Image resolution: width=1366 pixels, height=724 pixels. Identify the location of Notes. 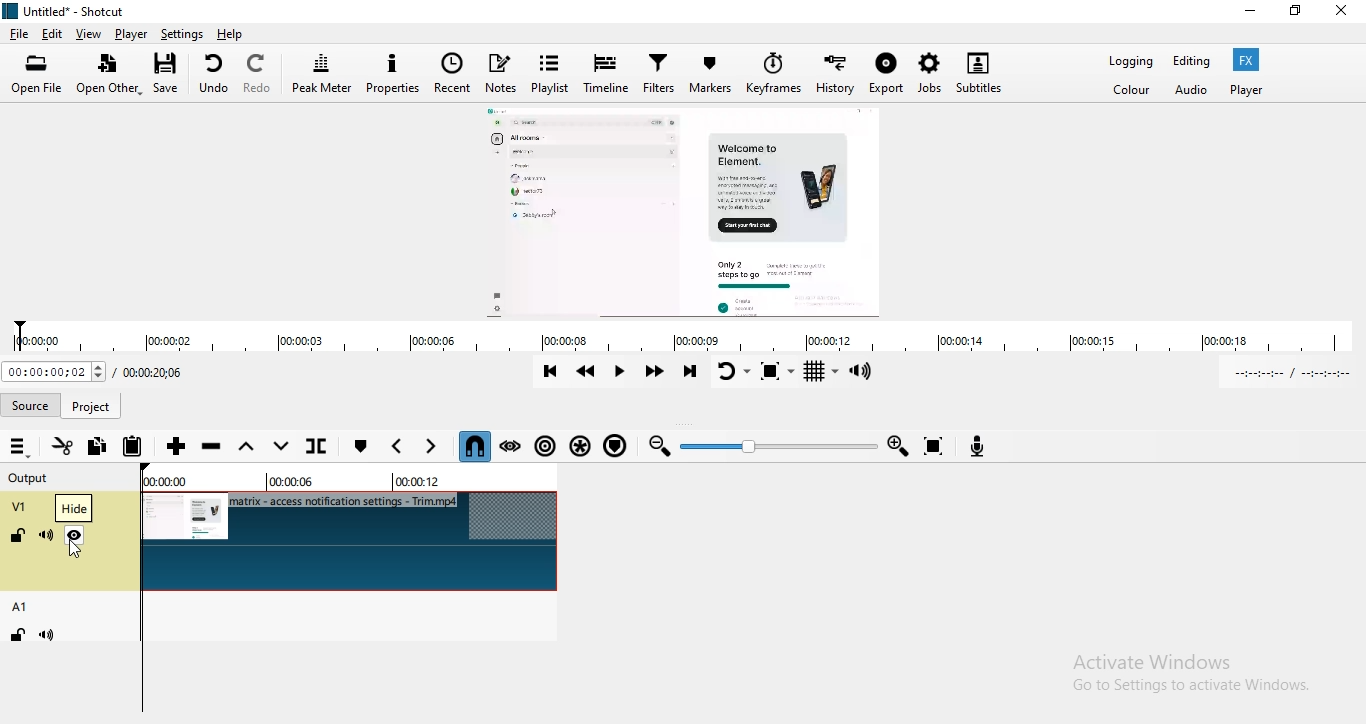
(504, 71).